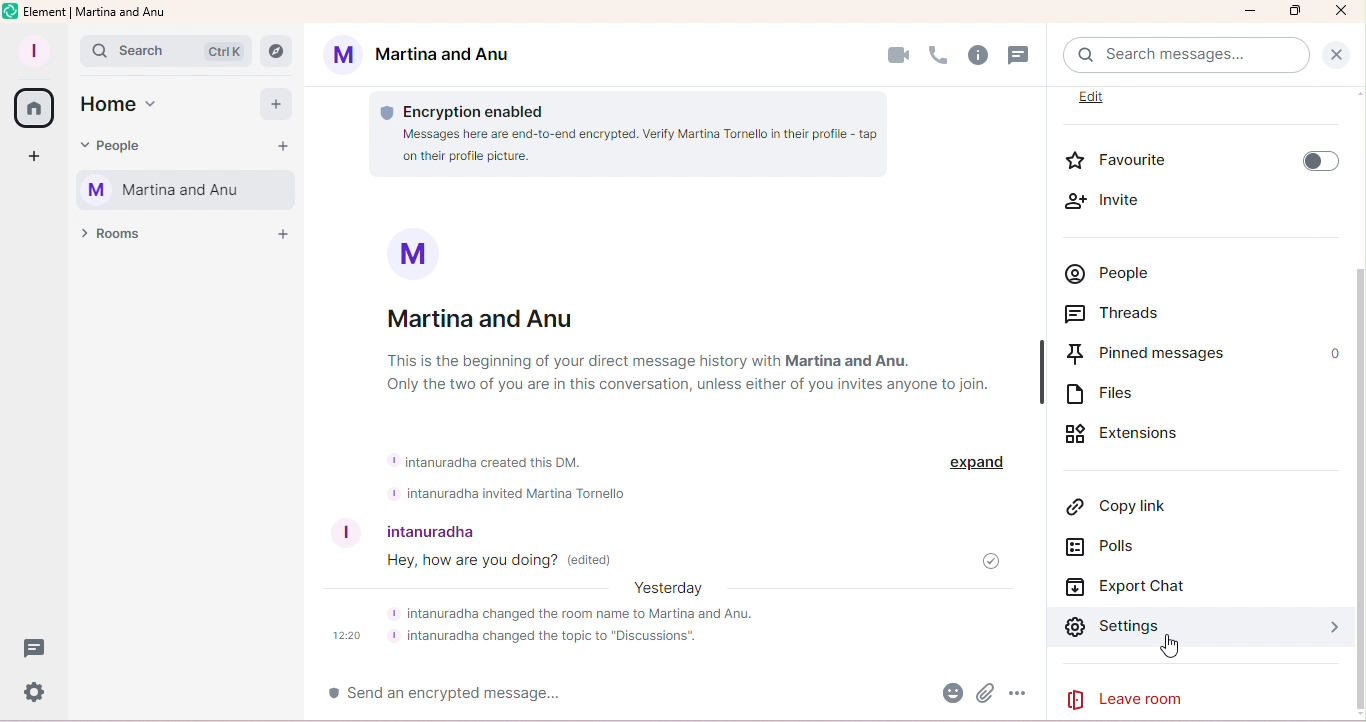 This screenshot has width=1366, height=722. What do you see at coordinates (485, 317) in the screenshot?
I see `Martina and Anu` at bounding box center [485, 317].